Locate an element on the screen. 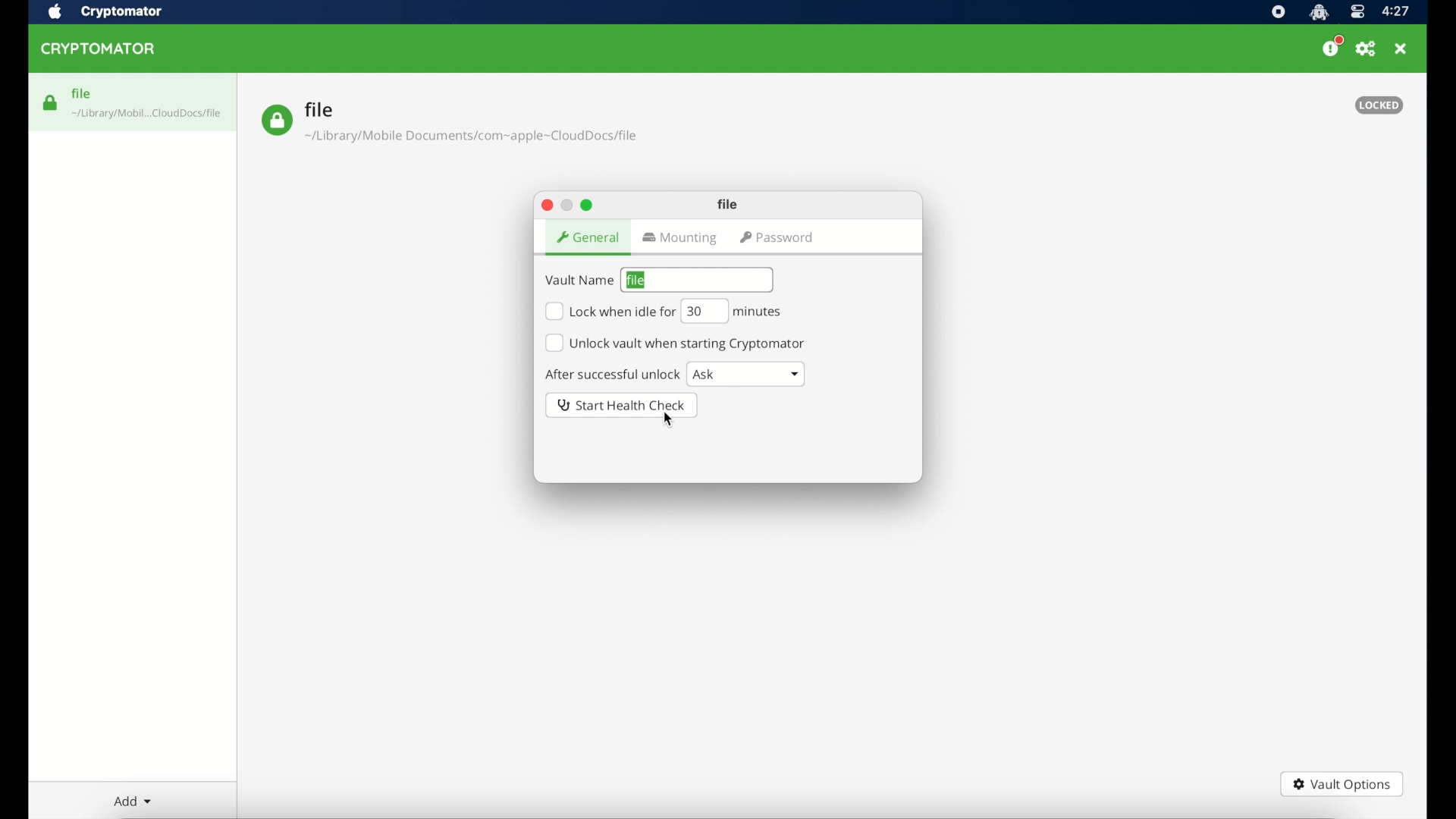 Image resolution: width=1456 pixels, height=819 pixels. donate is located at coordinates (1332, 47).